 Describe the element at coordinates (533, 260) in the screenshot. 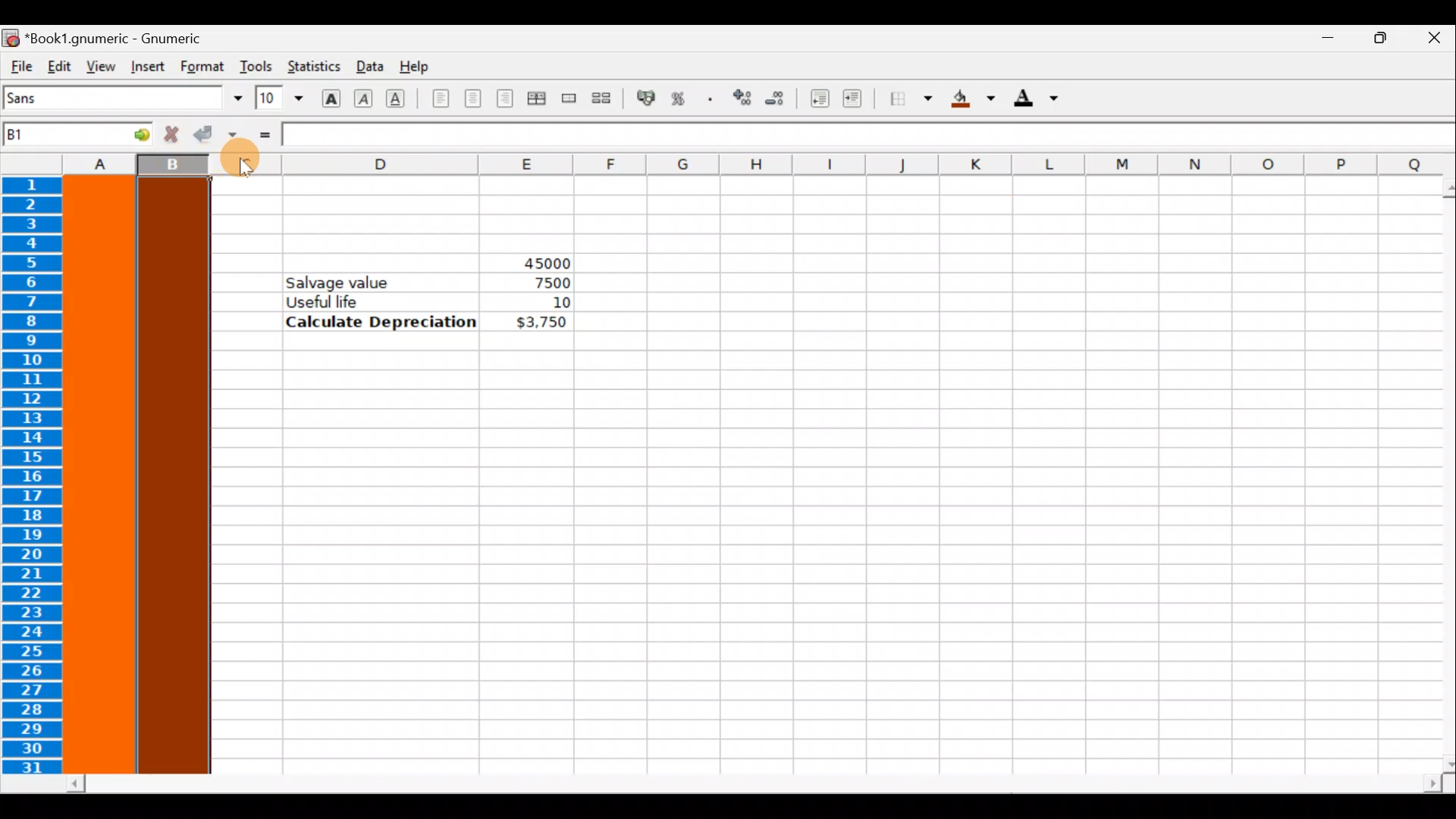

I see `45000` at that location.